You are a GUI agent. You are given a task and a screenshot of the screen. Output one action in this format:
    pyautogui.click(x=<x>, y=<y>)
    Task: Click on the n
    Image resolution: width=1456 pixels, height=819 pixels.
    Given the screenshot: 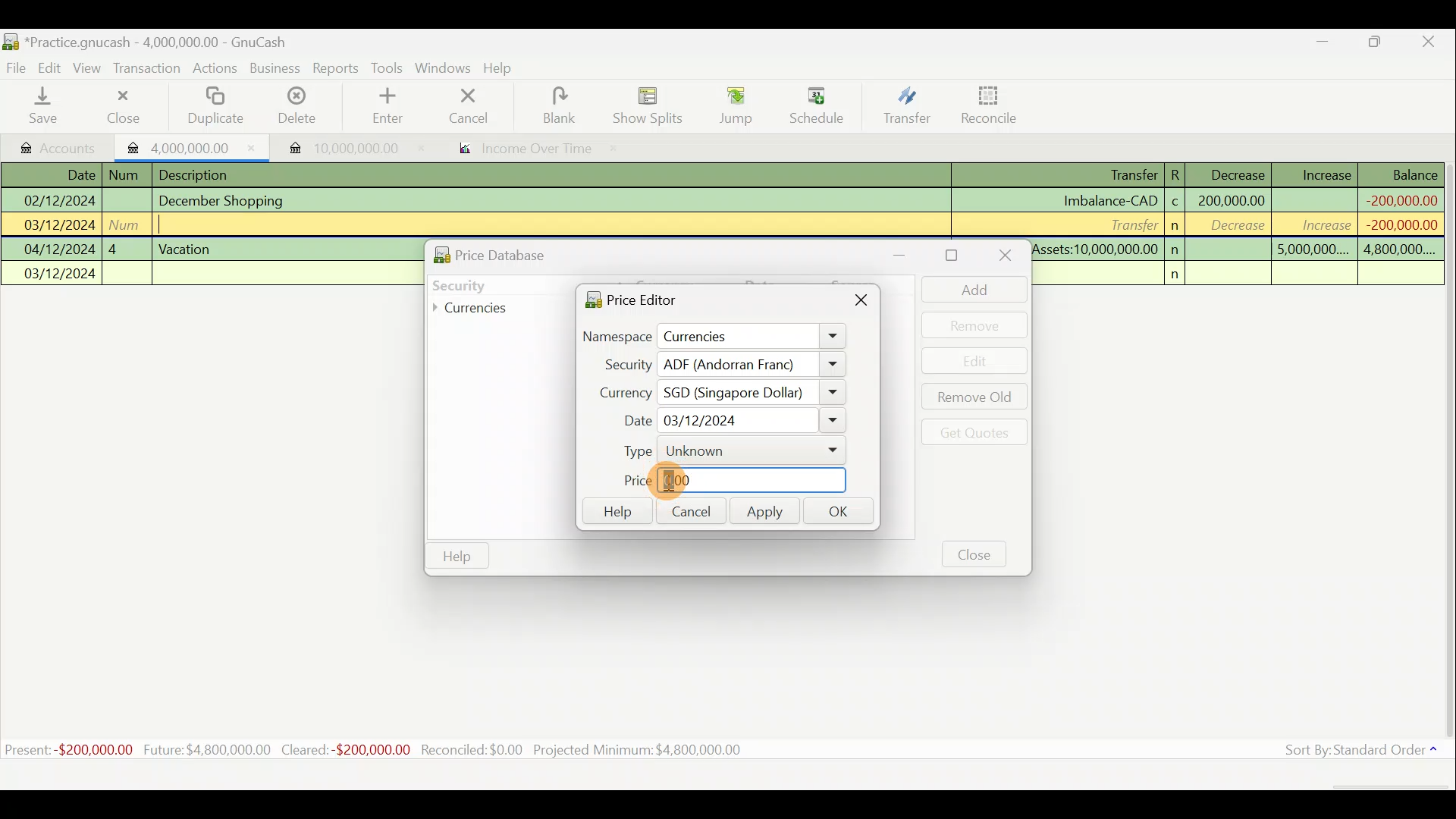 What is the action you would take?
    pyautogui.click(x=1177, y=226)
    